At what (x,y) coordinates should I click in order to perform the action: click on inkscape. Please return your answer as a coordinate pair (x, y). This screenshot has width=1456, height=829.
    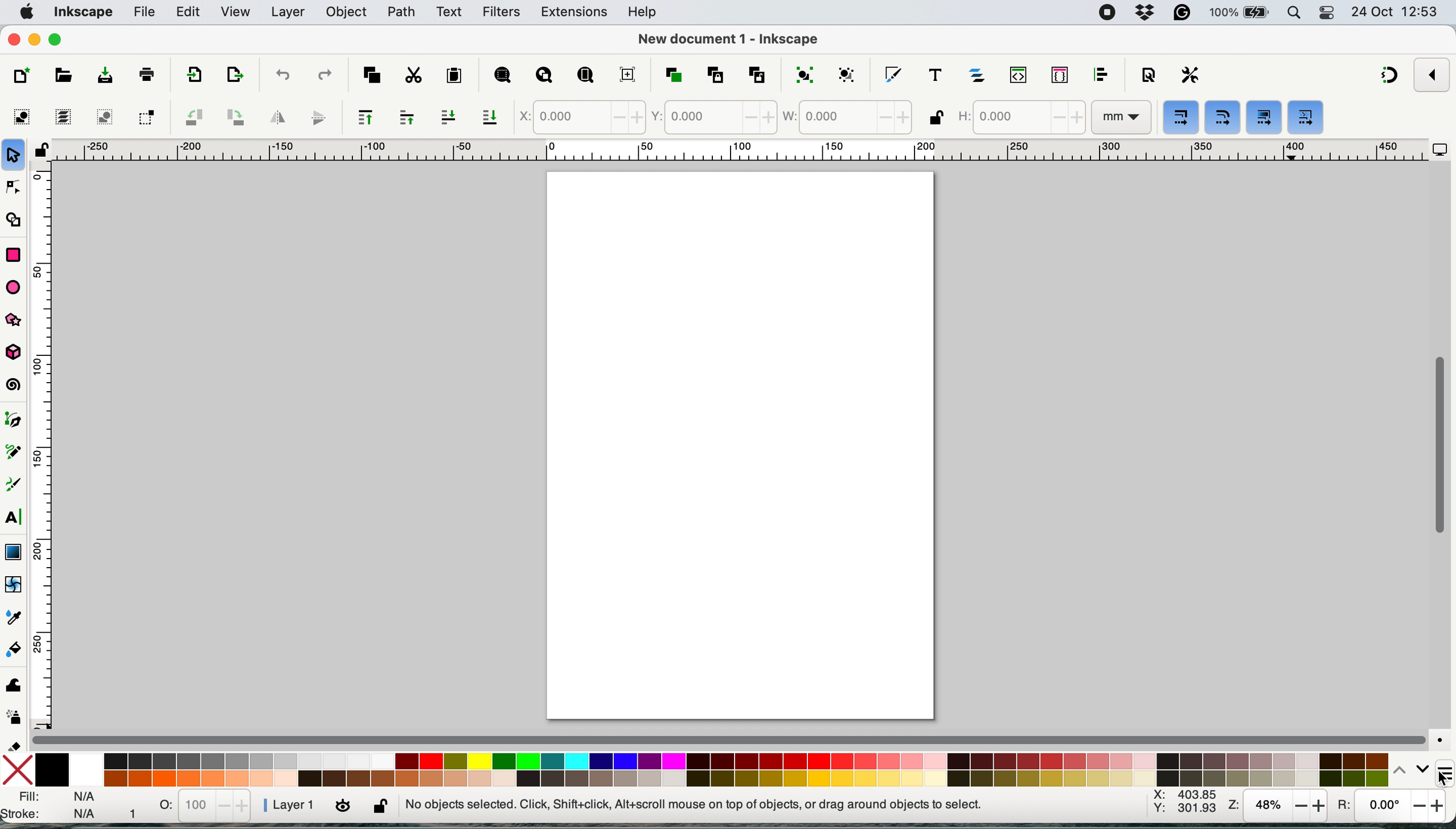
    Looking at the image, I should click on (84, 11).